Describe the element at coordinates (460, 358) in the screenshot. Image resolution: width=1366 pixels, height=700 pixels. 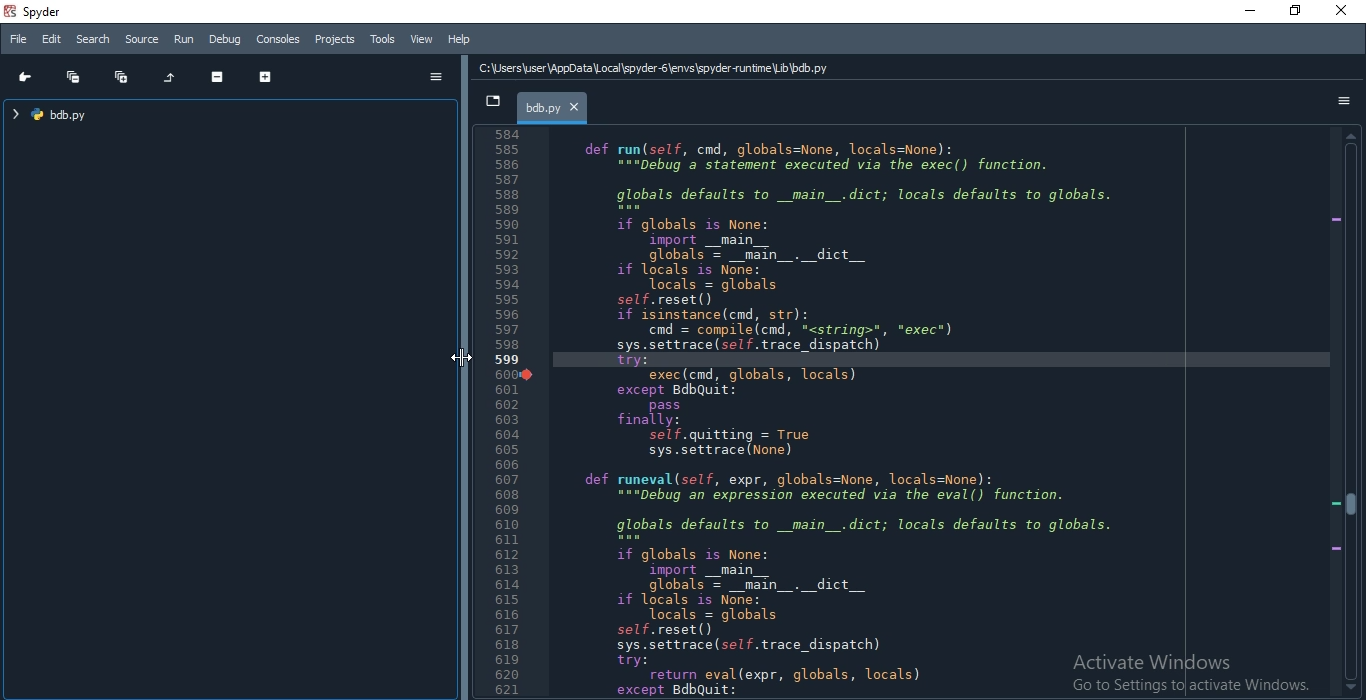
I see `Cursor` at that location.